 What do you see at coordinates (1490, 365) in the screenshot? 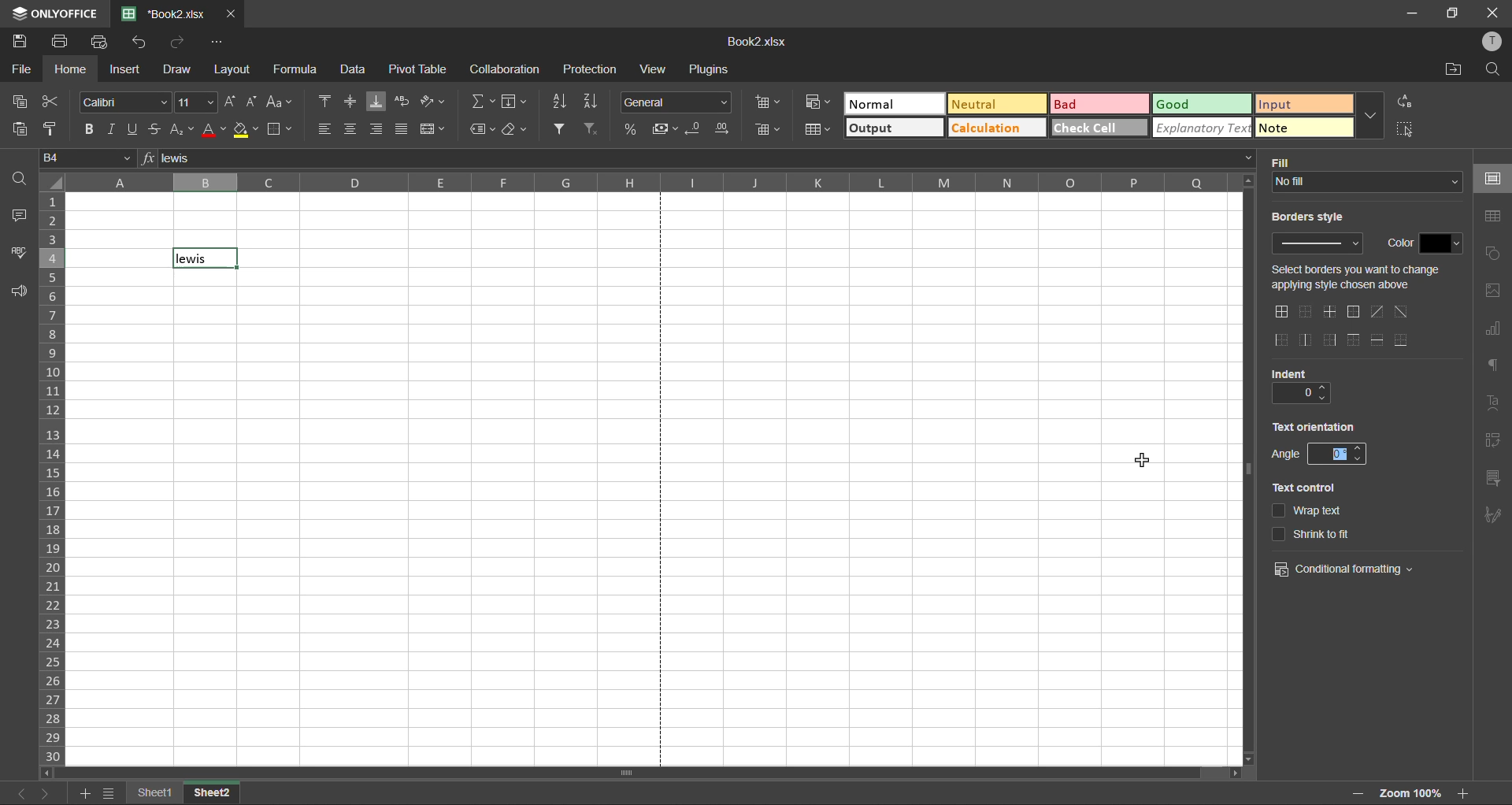
I see `paragraph` at bounding box center [1490, 365].